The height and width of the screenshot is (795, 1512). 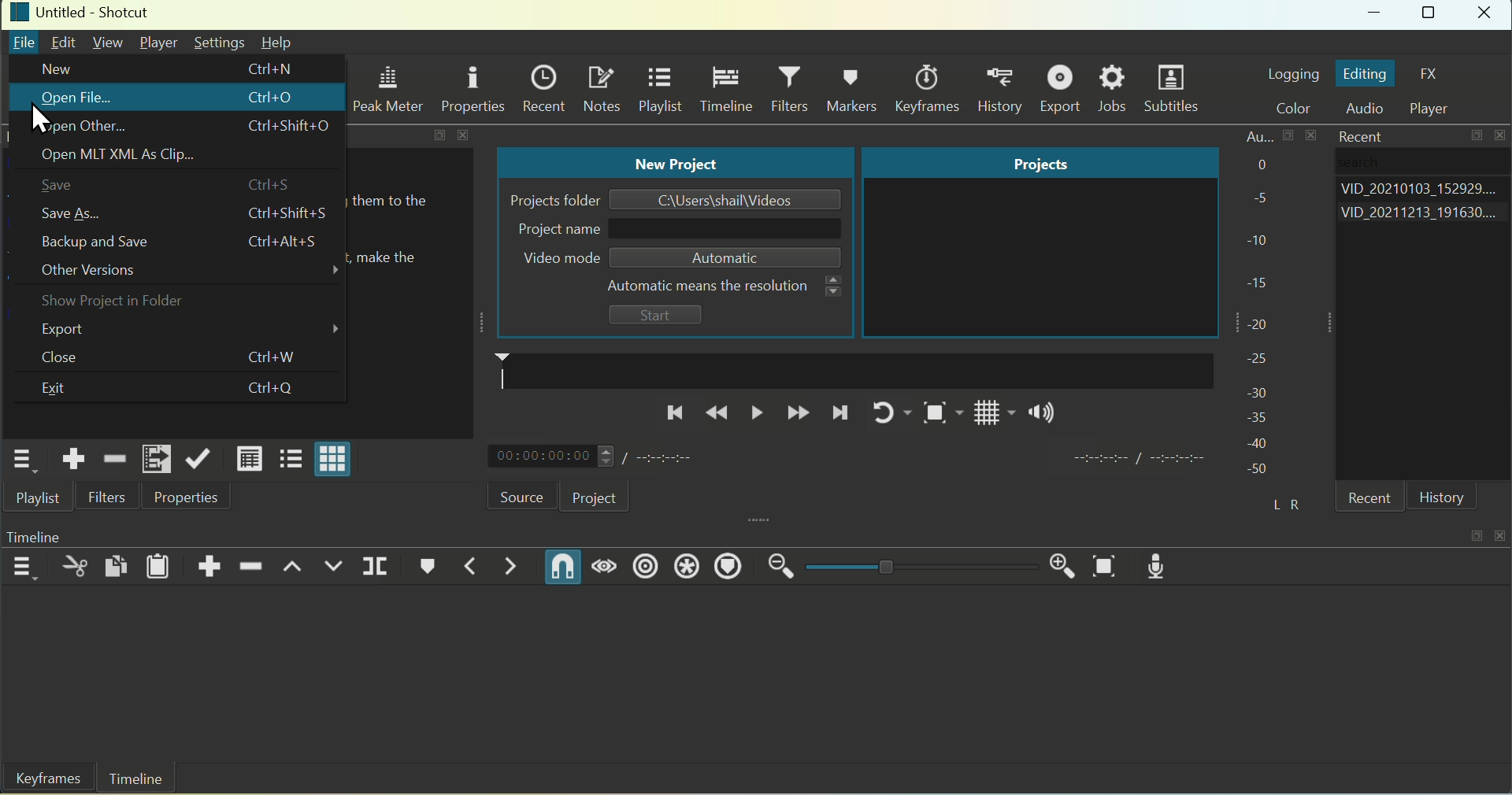 What do you see at coordinates (80, 211) in the screenshot?
I see `Save As` at bounding box center [80, 211].